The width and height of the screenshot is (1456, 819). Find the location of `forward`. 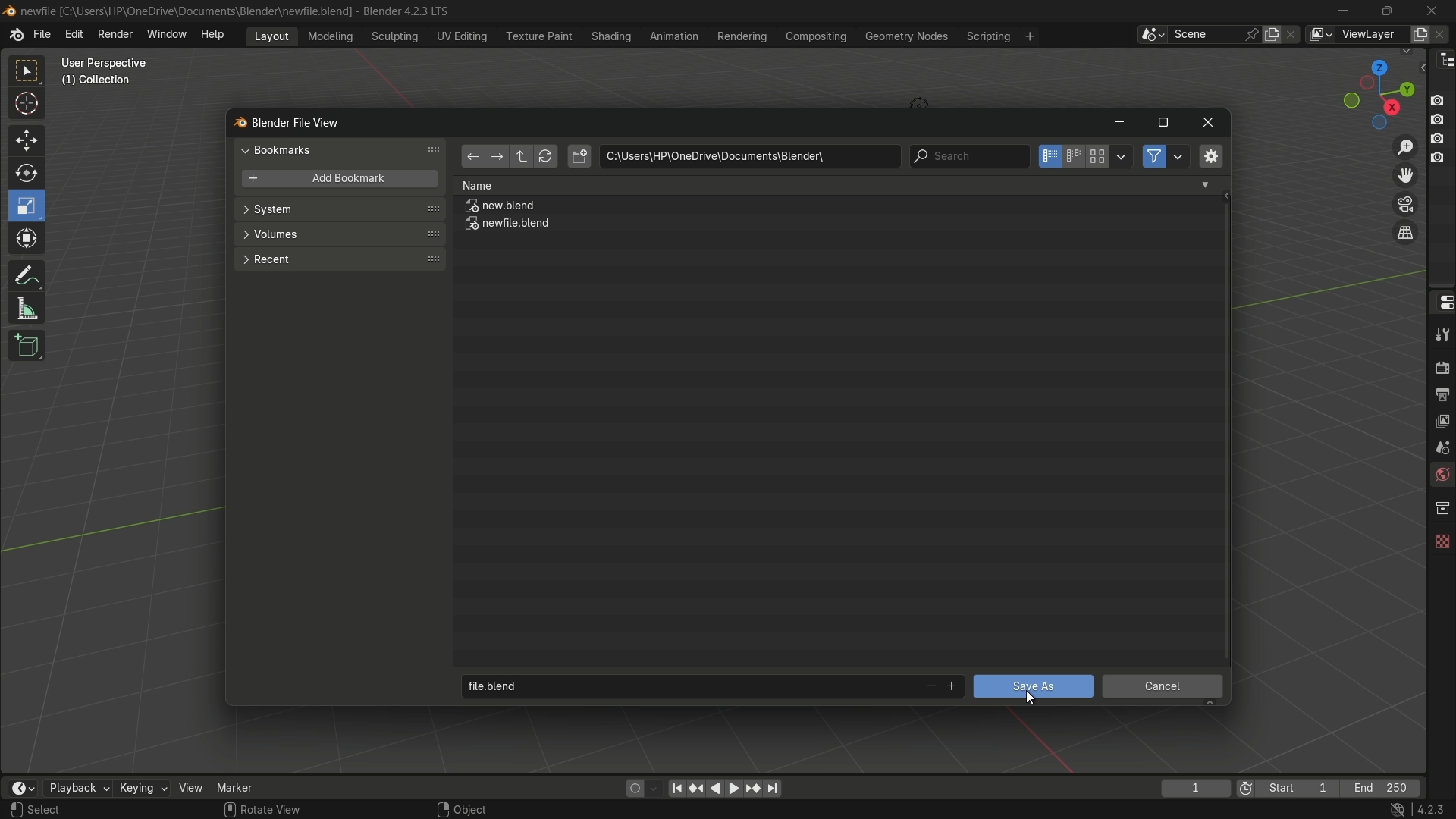

forward is located at coordinates (495, 158).